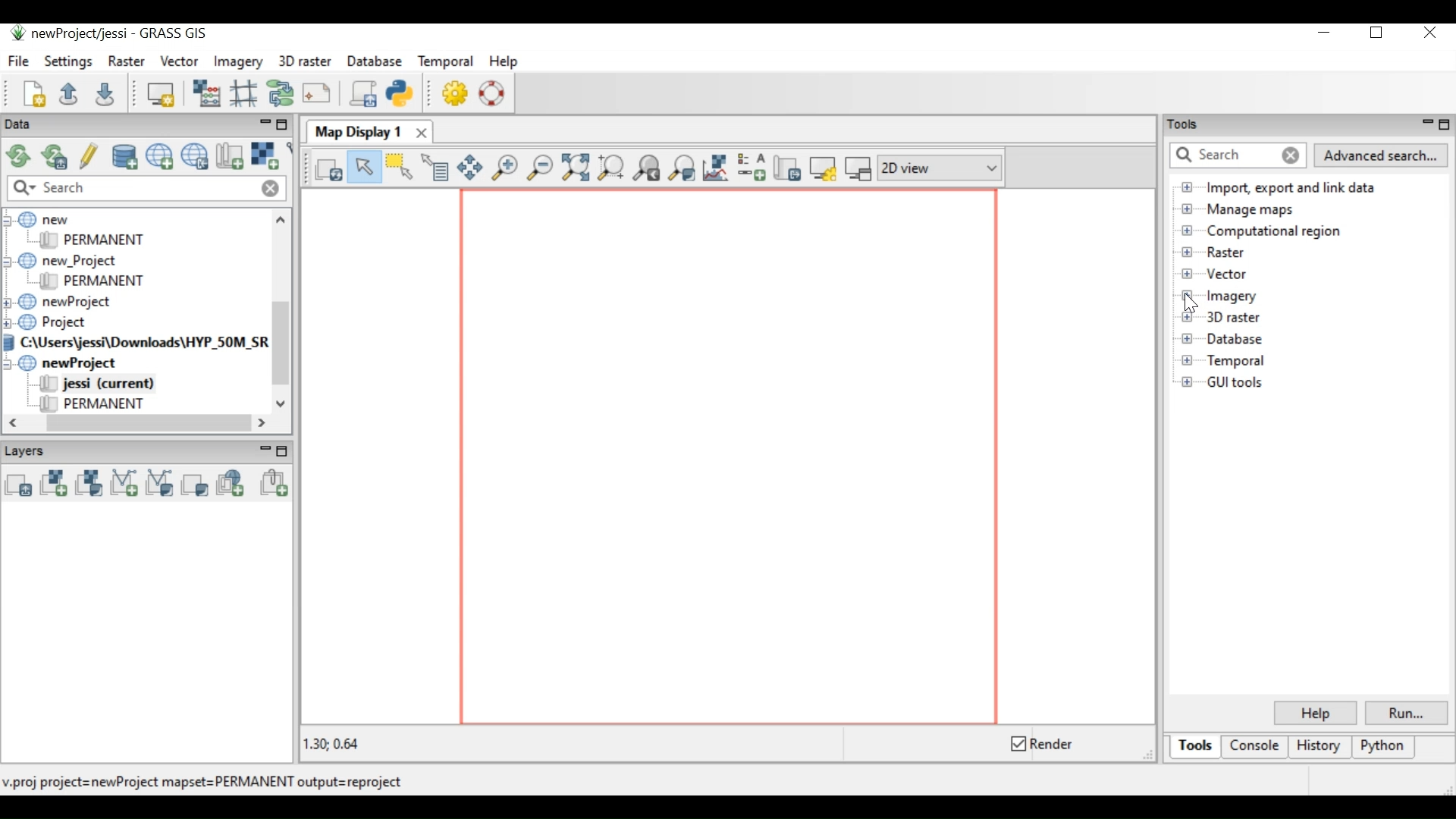 Image resolution: width=1456 pixels, height=819 pixels. What do you see at coordinates (67, 61) in the screenshot?
I see `Settings` at bounding box center [67, 61].